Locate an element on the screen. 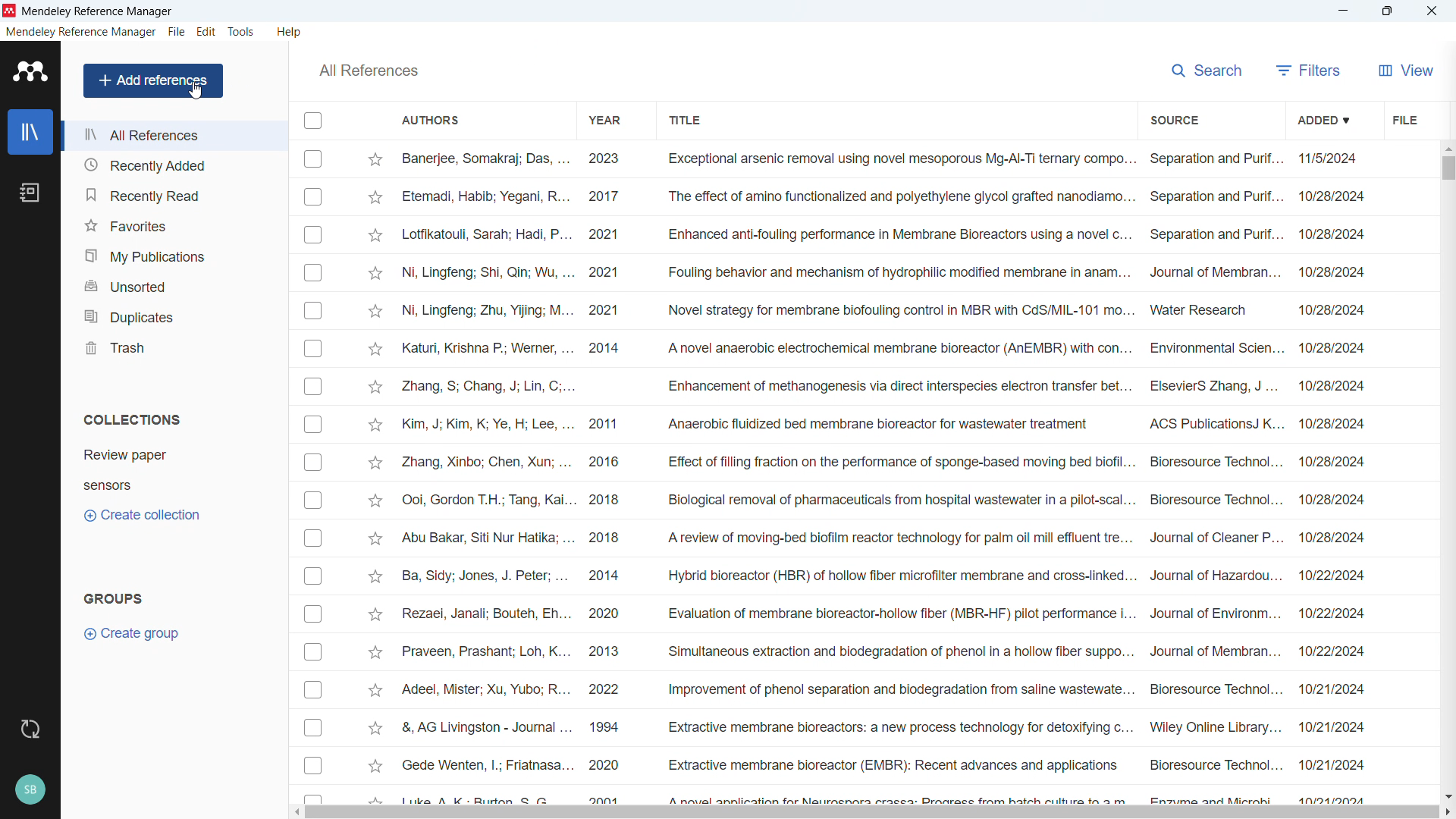 The image size is (1456, 819). Sort by date added  is located at coordinates (1322, 119).